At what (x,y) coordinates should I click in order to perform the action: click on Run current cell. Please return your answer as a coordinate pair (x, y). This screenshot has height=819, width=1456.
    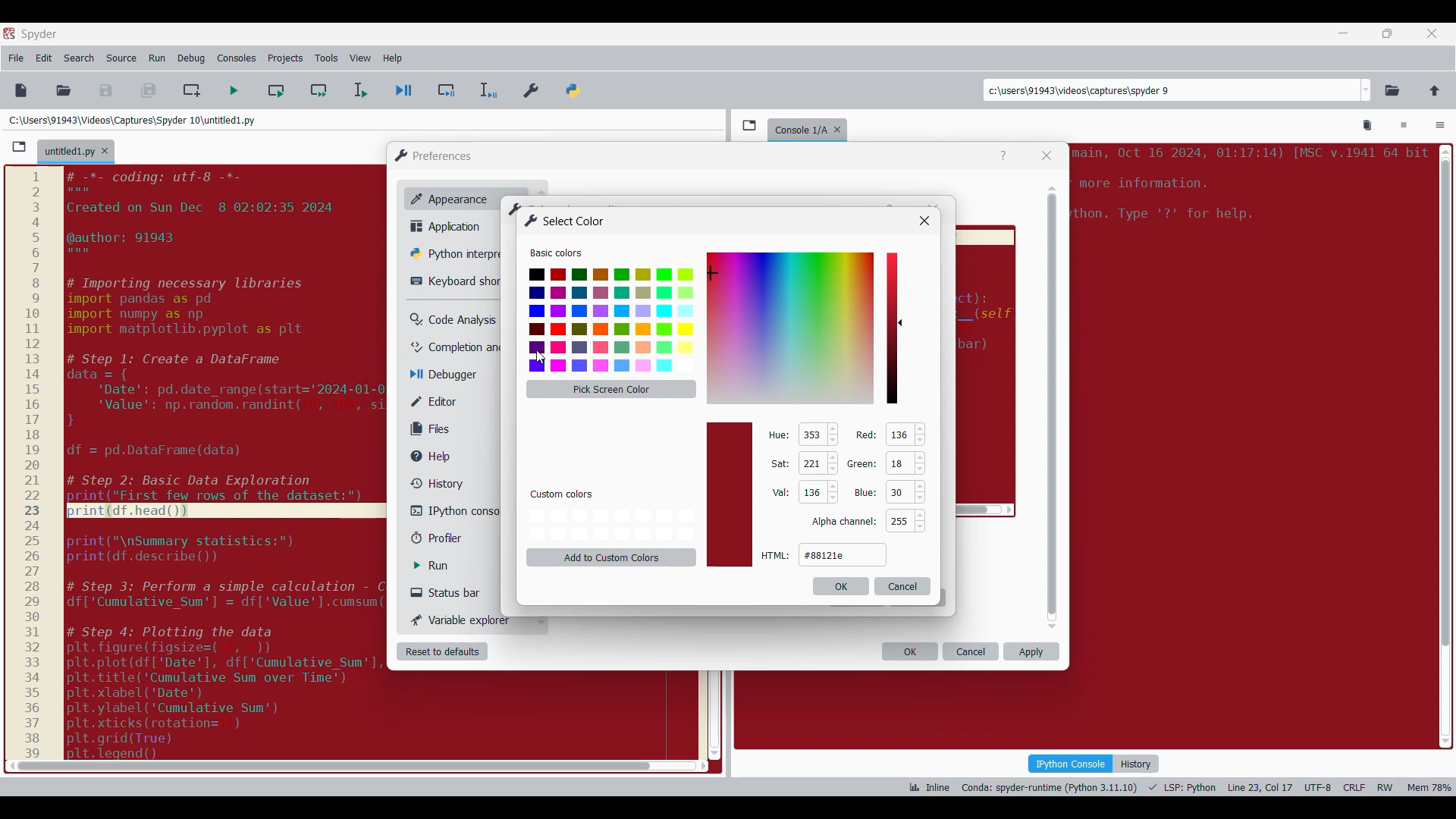
    Looking at the image, I should click on (276, 90).